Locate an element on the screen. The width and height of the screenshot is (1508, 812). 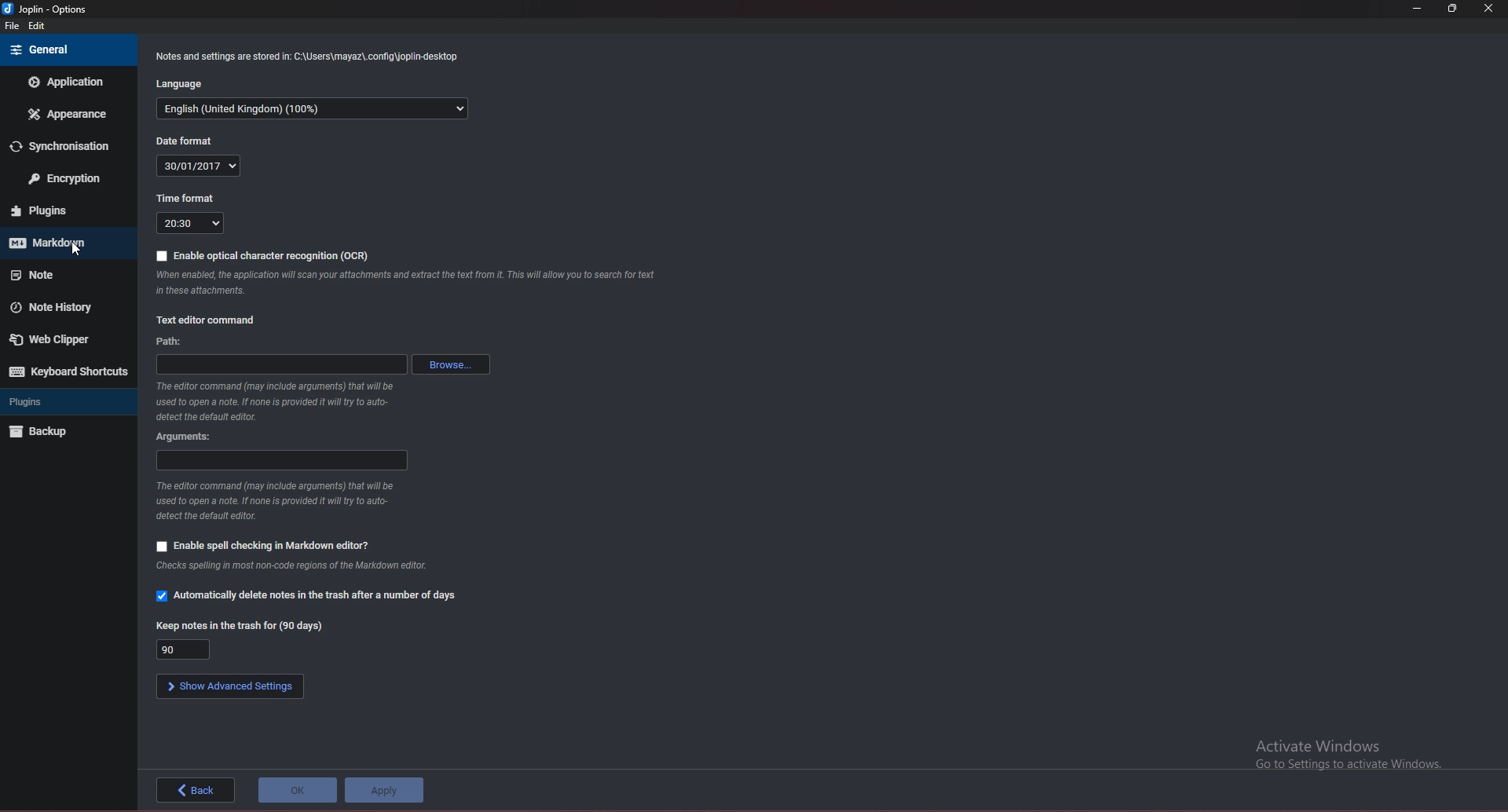
note history is located at coordinates (62, 307).